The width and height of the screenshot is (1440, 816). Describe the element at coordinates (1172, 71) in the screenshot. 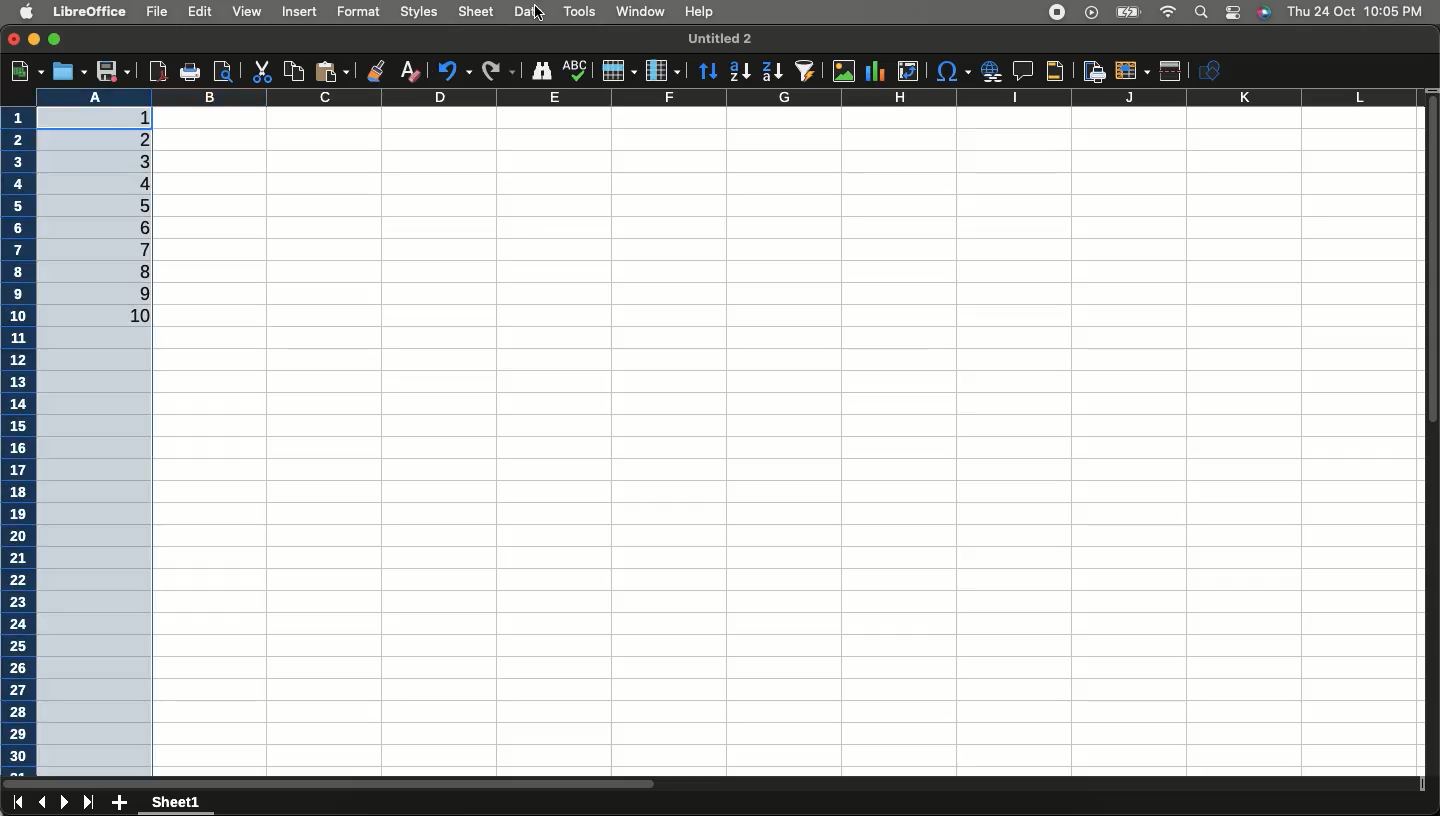

I see `Split window` at that location.